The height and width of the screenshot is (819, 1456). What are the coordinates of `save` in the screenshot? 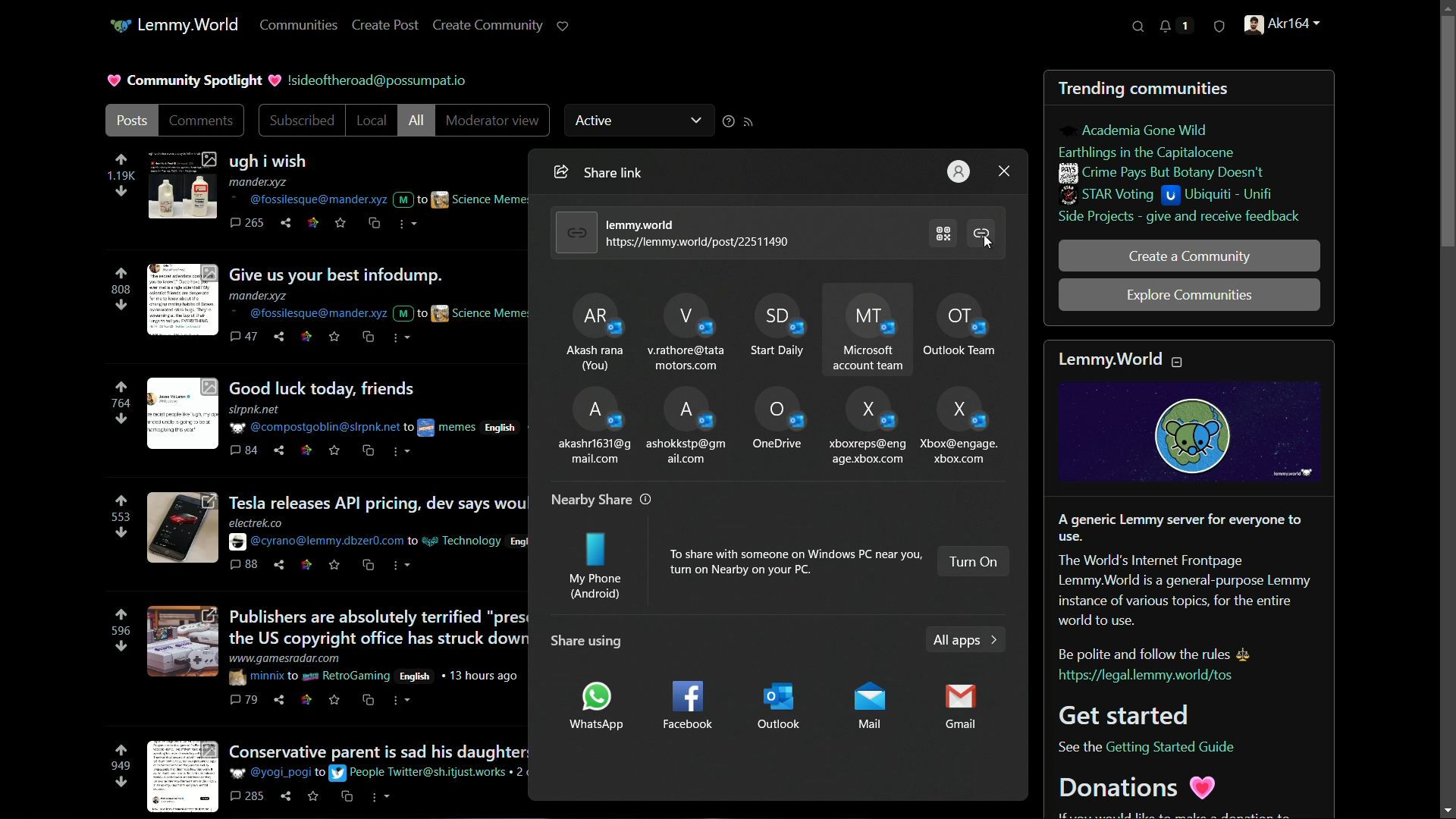 It's located at (334, 450).